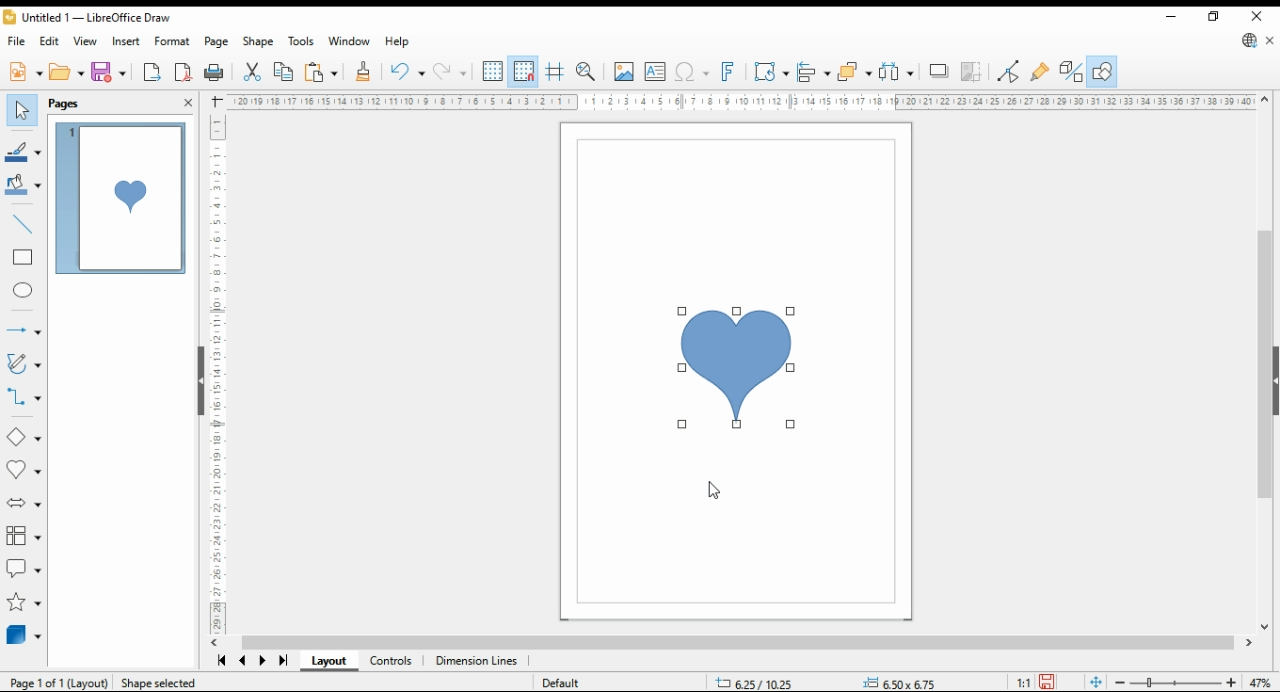 This screenshot has height=692, width=1280. Describe the element at coordinates (25, 72) in the screenshot. I see `new` at that location.